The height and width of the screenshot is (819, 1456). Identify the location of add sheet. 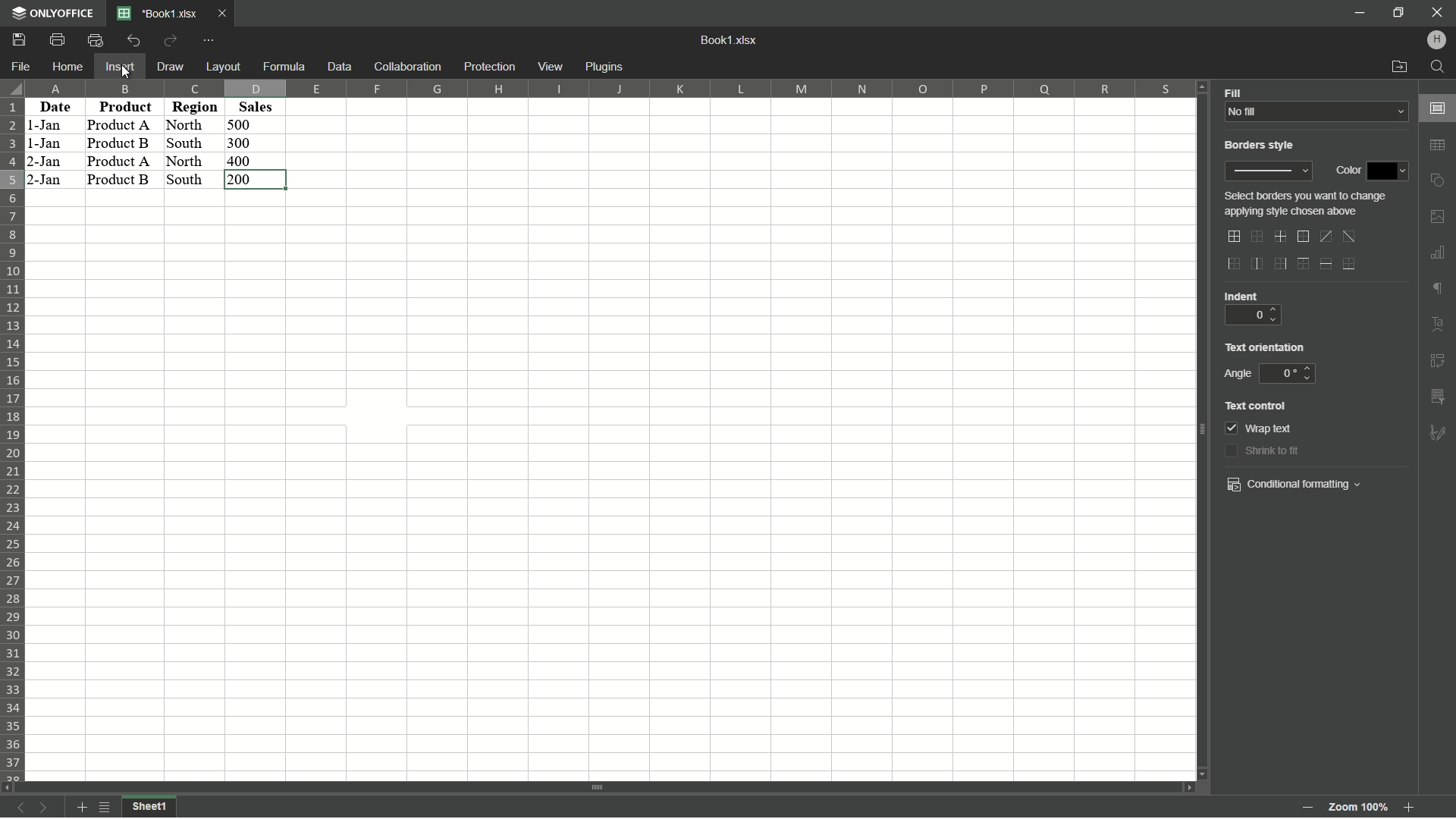
(80, 808).